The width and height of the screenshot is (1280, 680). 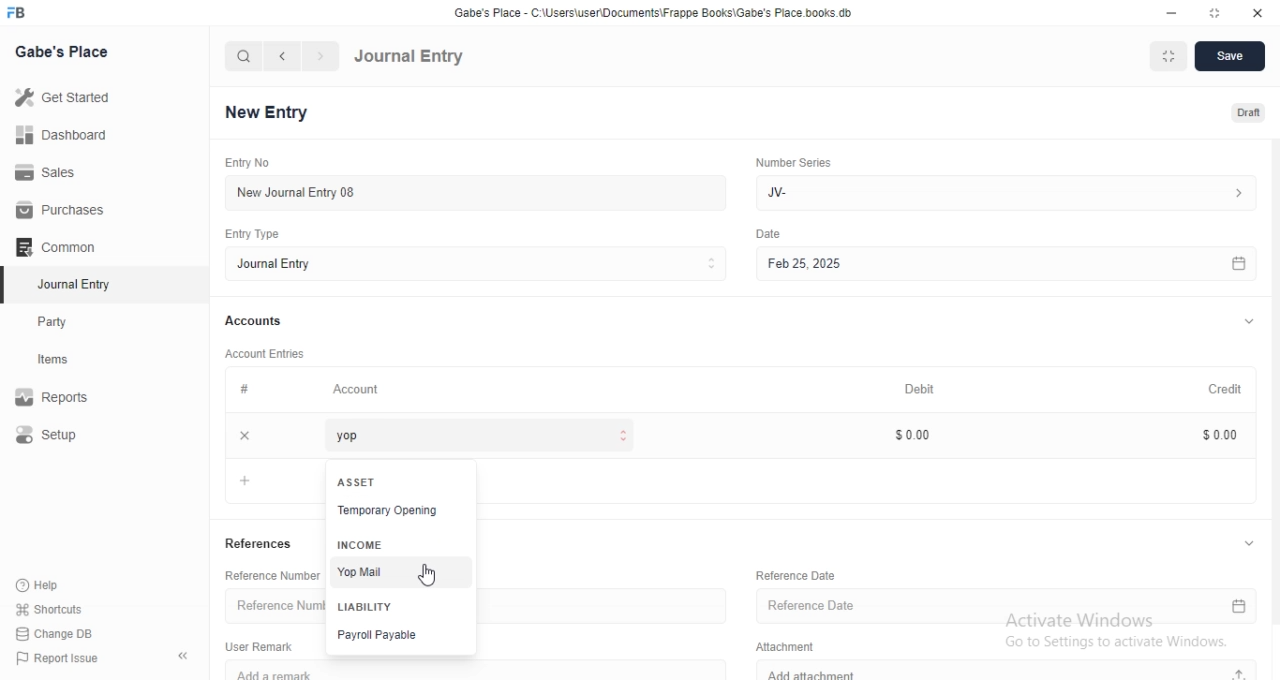 I want to click on navigate backward, so click(x=285, y=56).